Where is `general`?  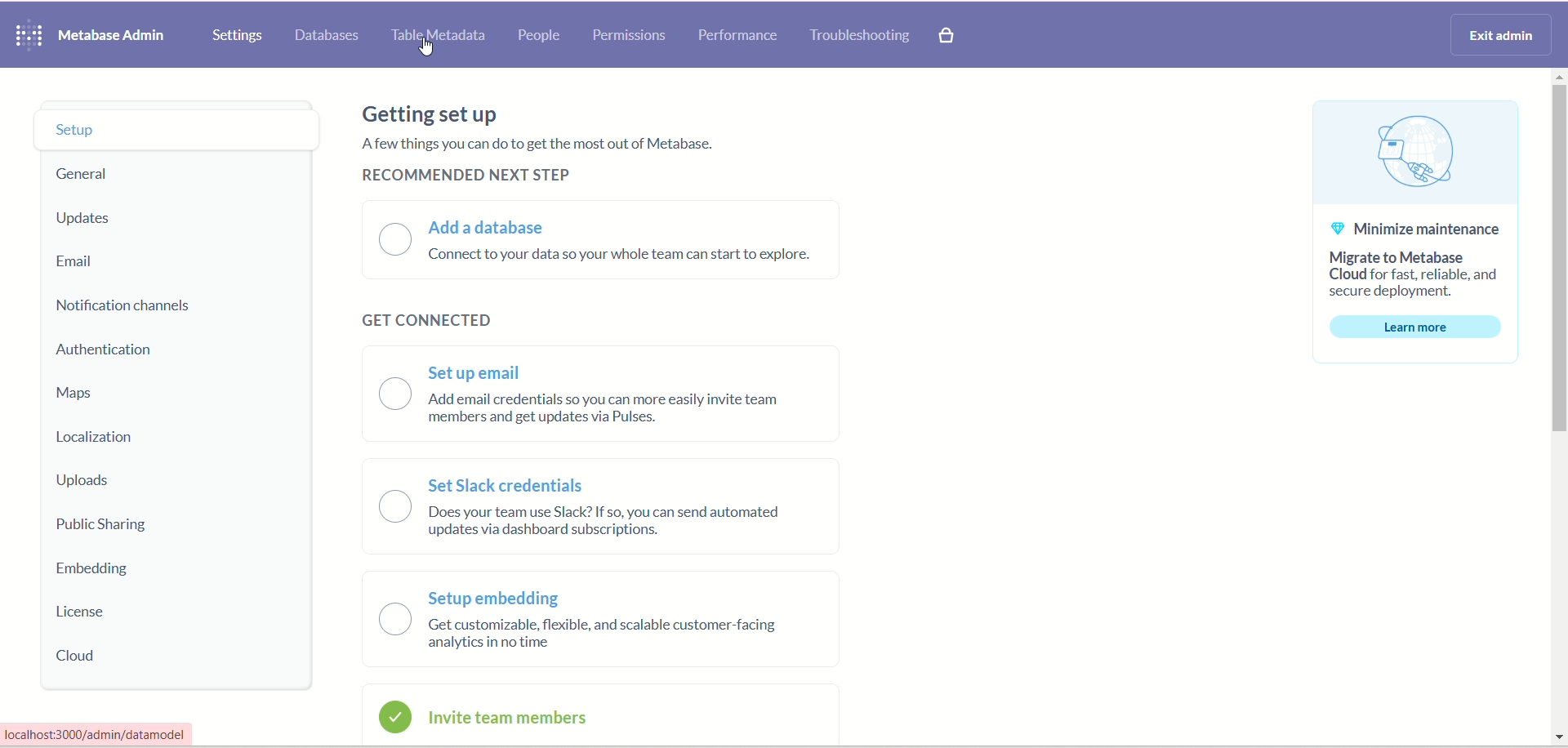
general is located at coordinates (82, 173).